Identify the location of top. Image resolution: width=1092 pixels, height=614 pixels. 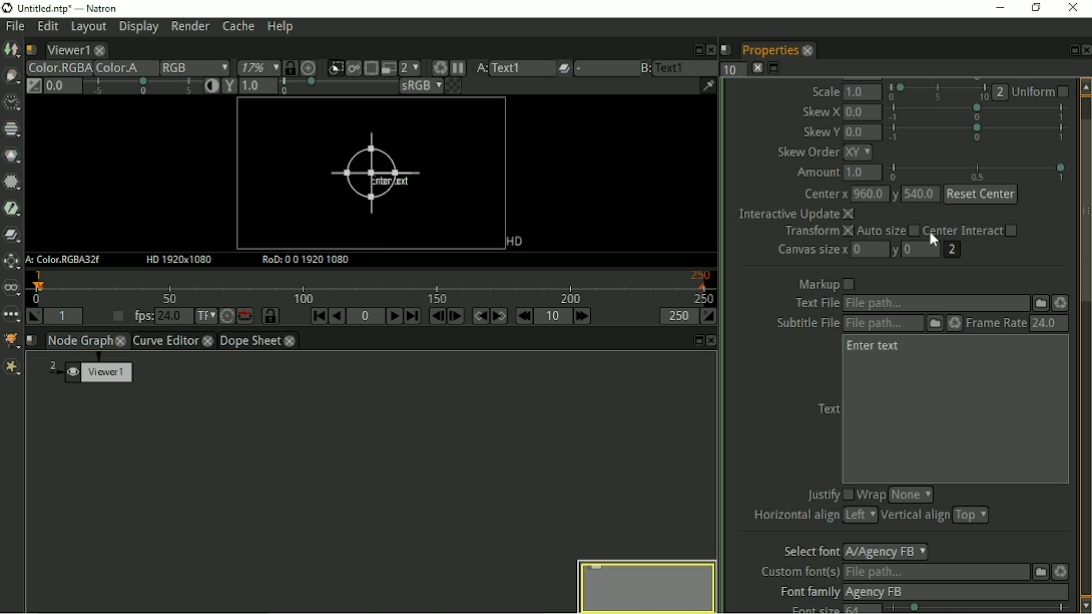
(971, 516).